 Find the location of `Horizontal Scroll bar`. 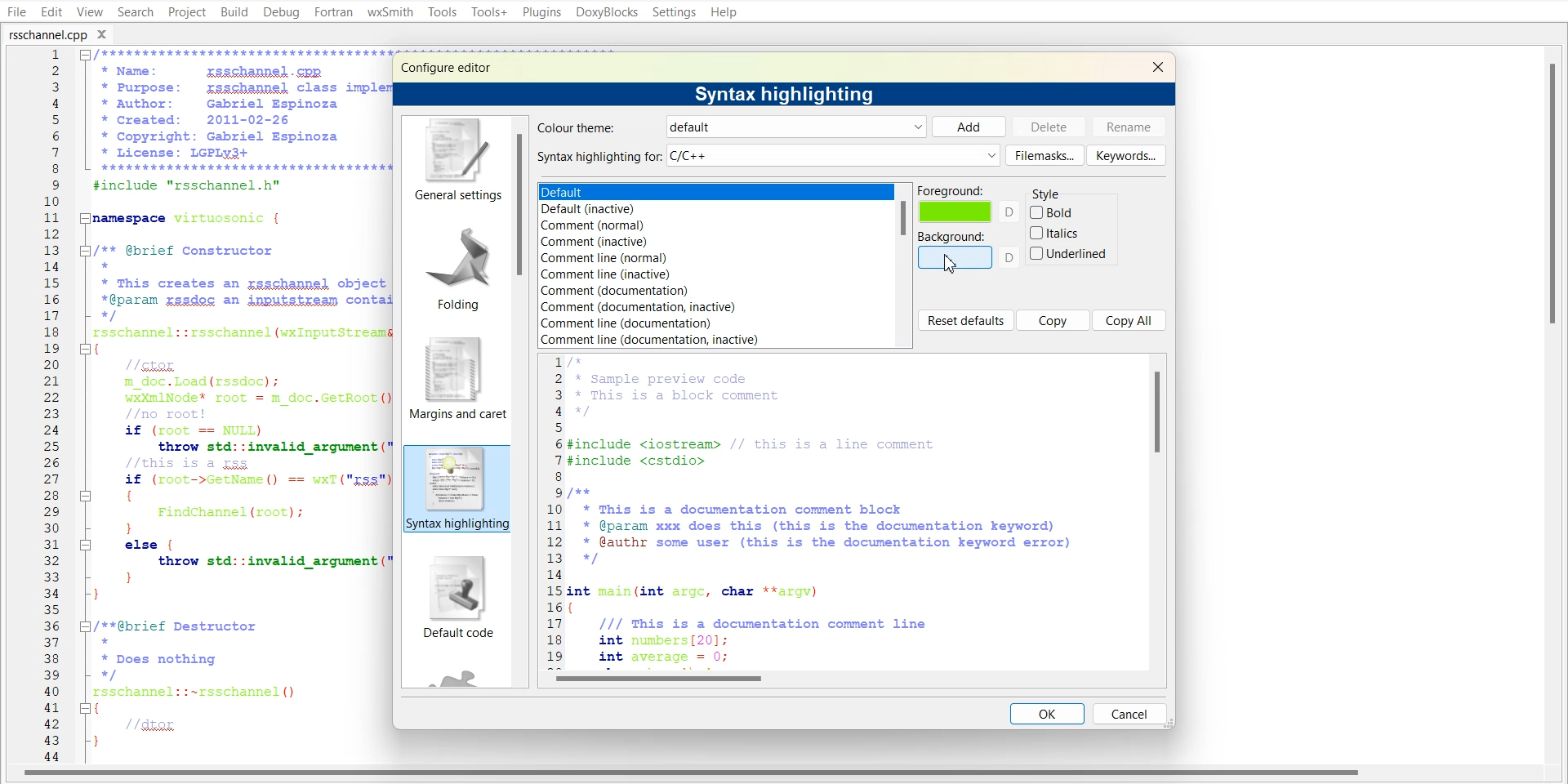

Horizontal Scroll bar is located at coordinates (694, 775).